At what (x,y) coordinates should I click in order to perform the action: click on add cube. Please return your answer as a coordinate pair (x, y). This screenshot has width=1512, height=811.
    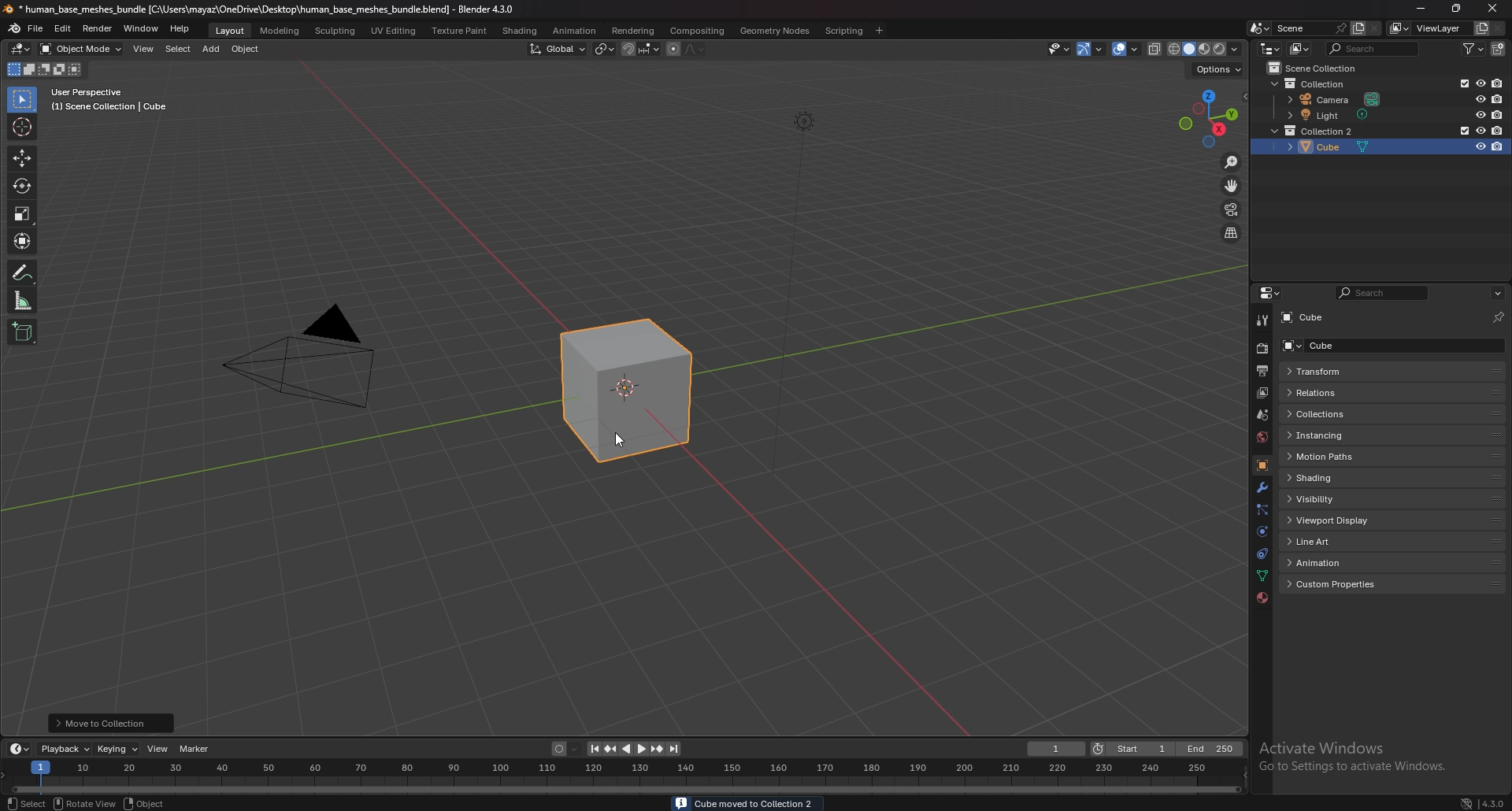
    Looking at the image, I should click on (23, 331).